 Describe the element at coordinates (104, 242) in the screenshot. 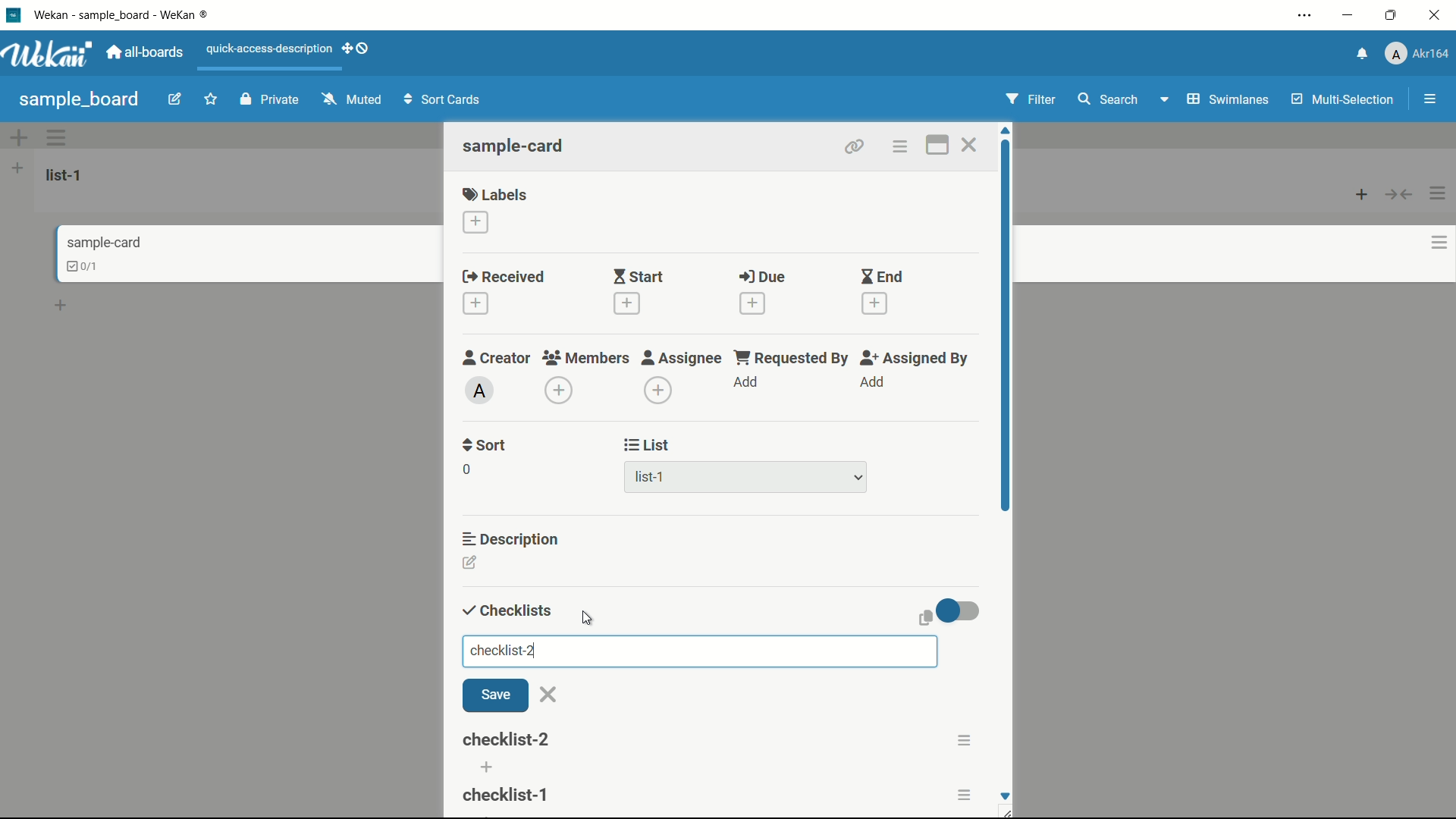

I see `card name` at that location.